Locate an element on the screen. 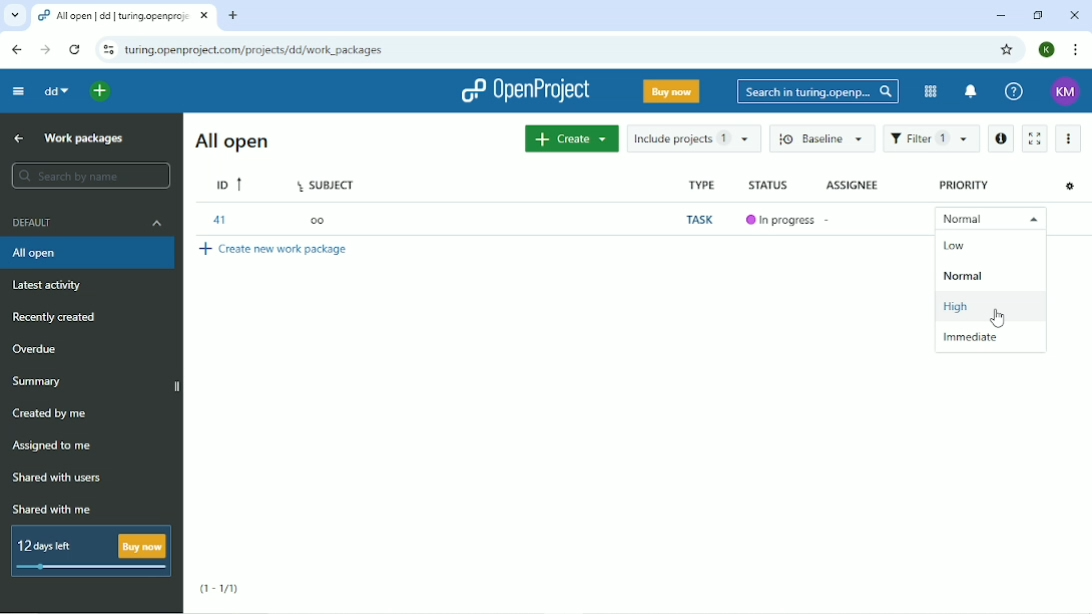 The image size is (1092, 614). oo is located at coordinates (324, 219).